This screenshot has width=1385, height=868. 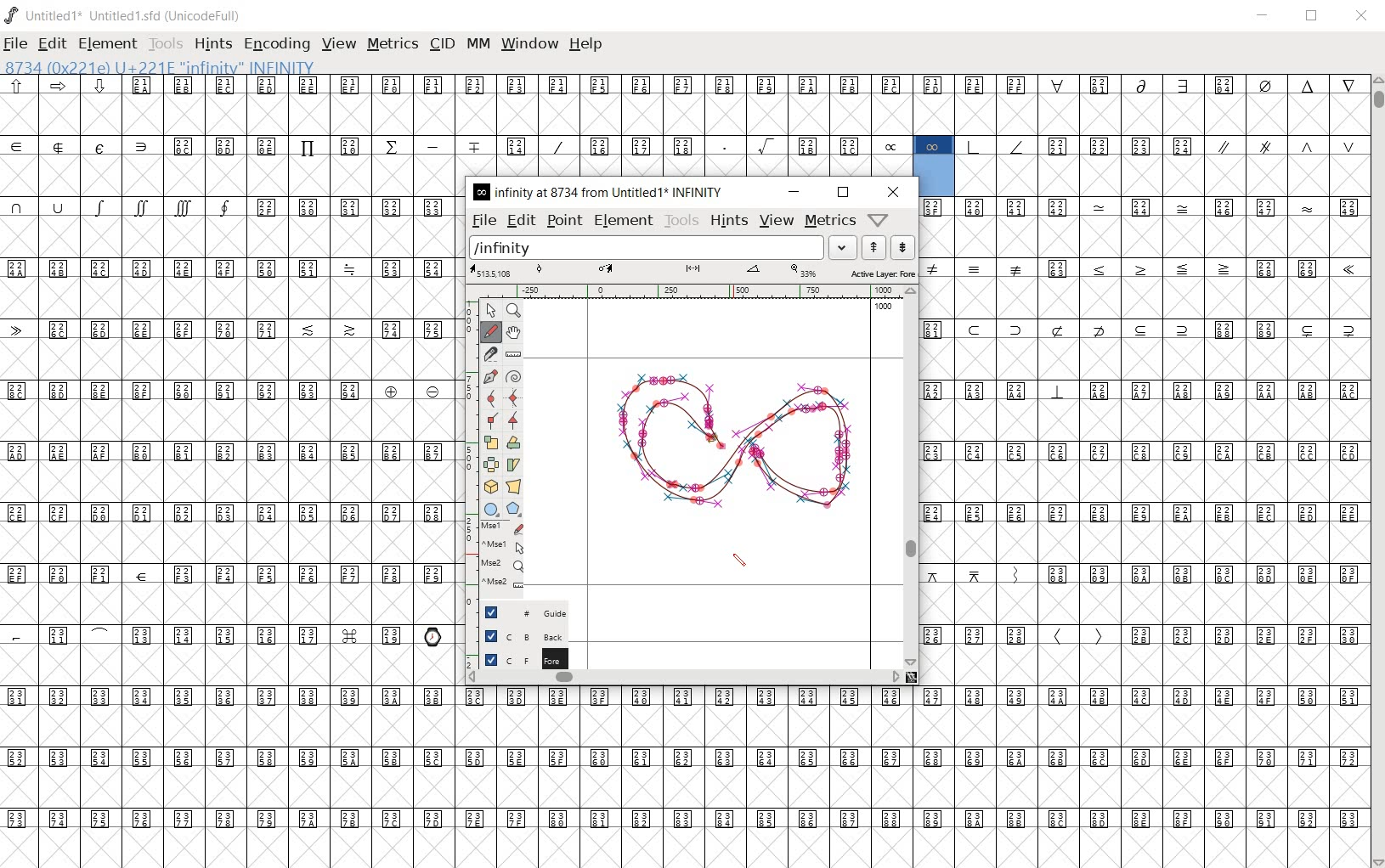 I want to click on tools, so click(x=167, y=44).